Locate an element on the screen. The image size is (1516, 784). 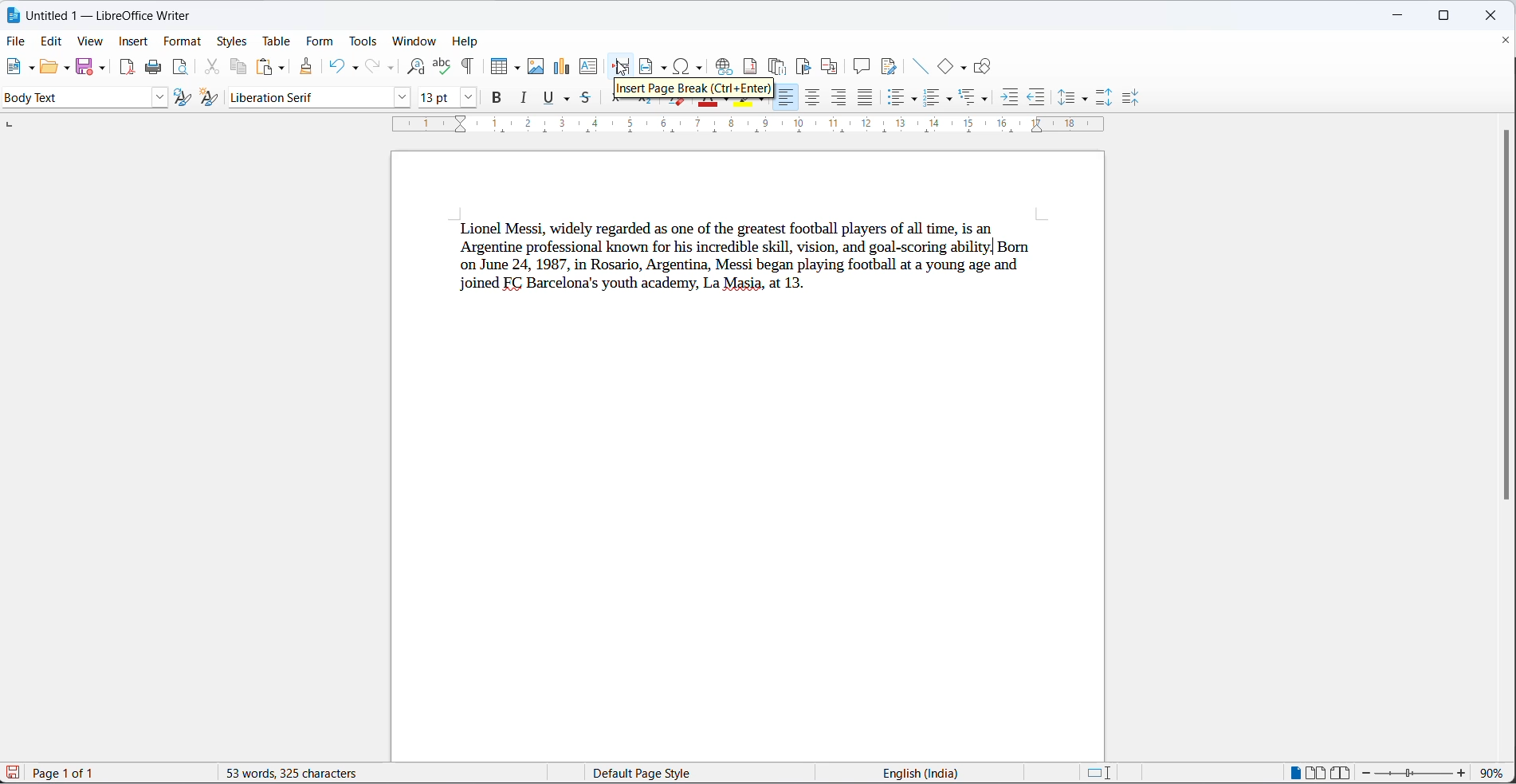
insert line is located at coordinates (921, 67).